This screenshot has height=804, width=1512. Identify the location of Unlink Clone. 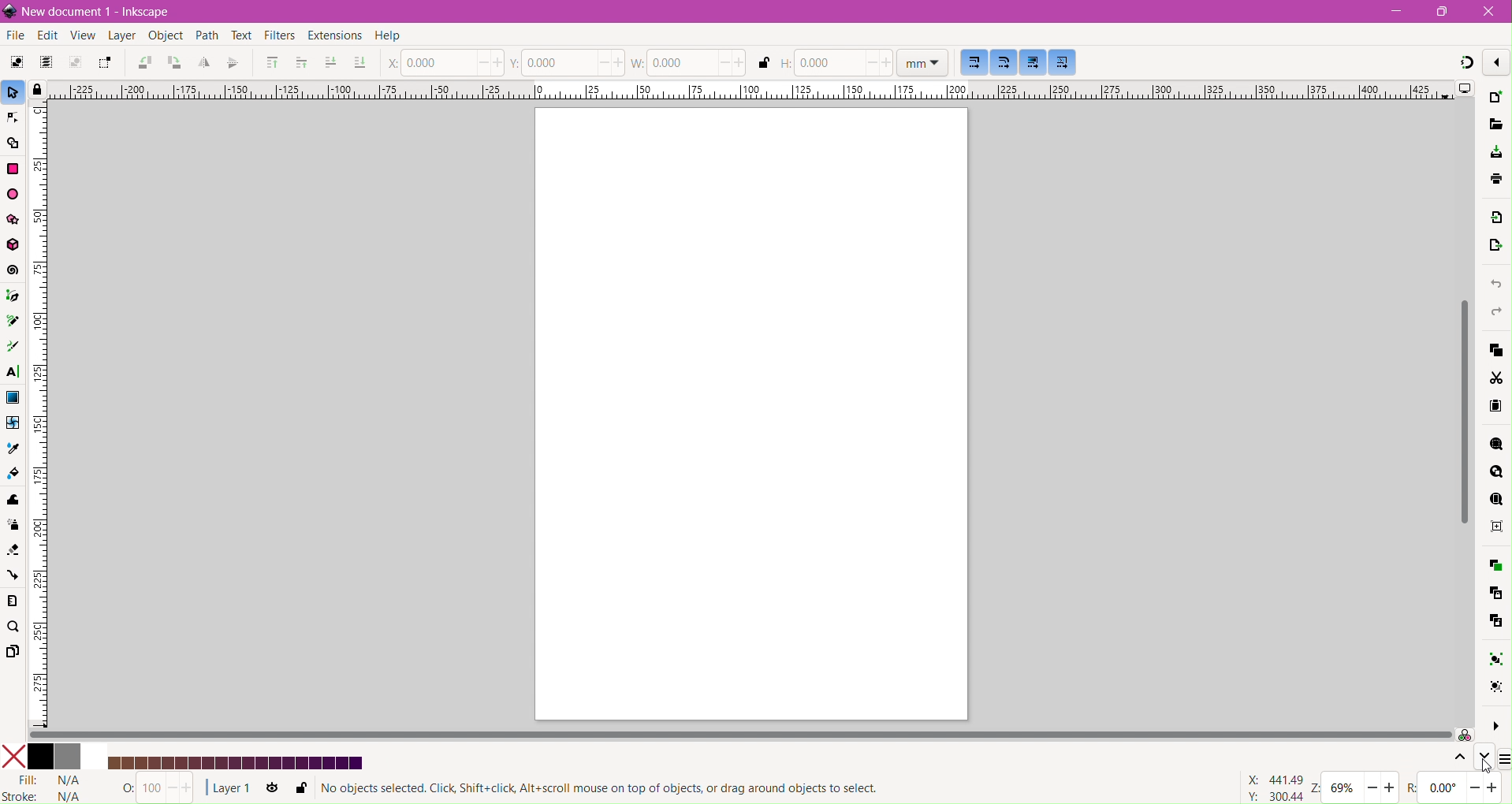
(1495, 623).